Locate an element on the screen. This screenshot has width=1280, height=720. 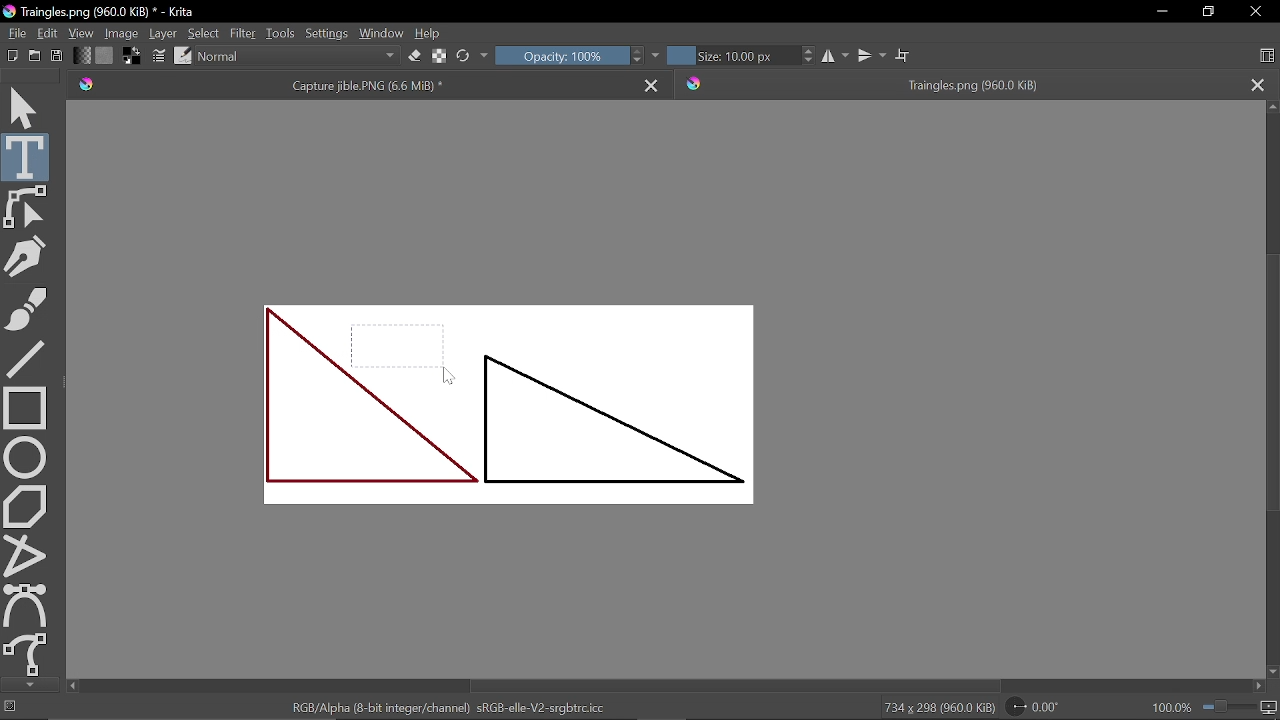
shapes is located at coordinates (509, 405).